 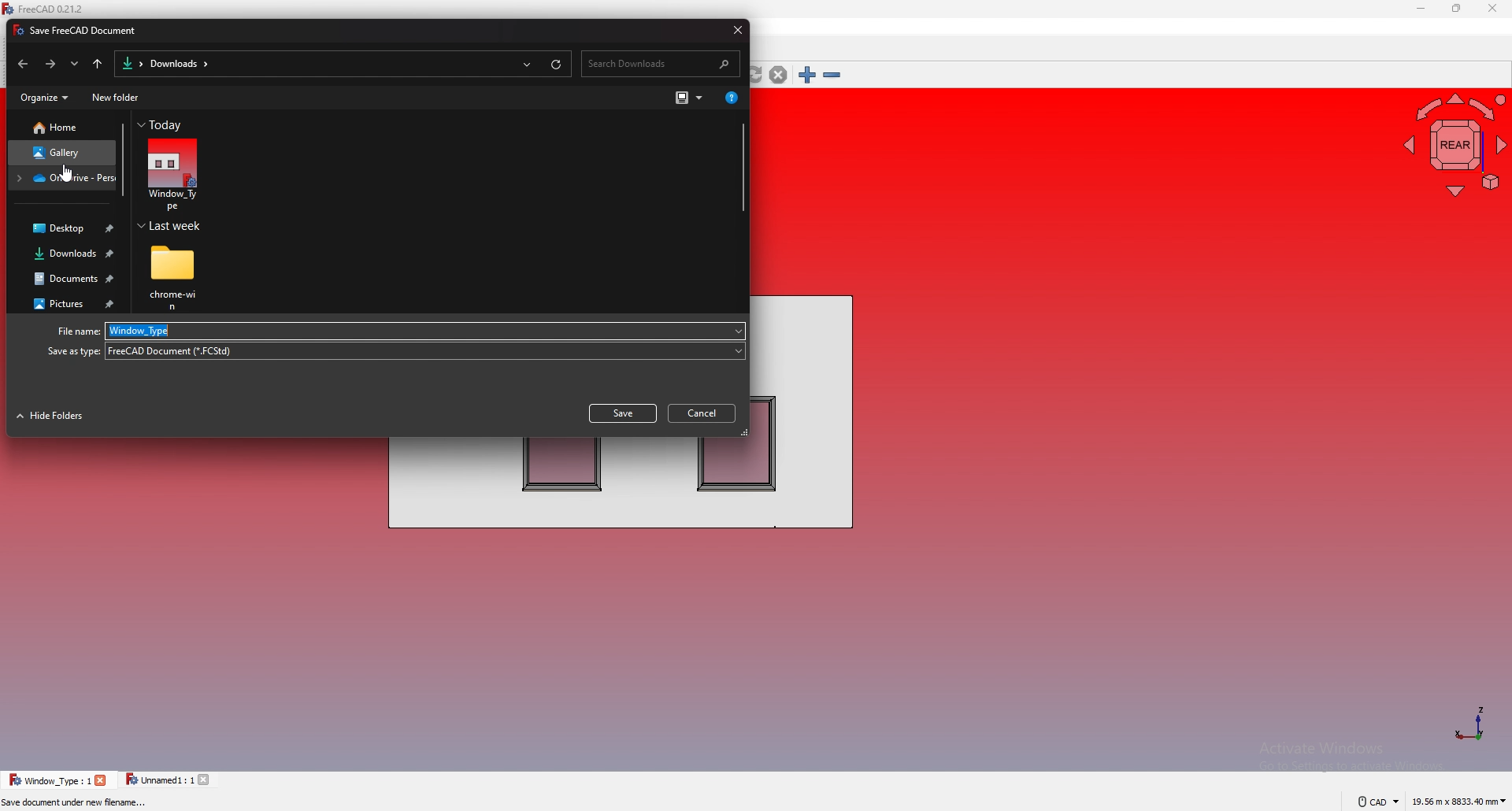 I want to click on downloads, so click(x=65, y=254).